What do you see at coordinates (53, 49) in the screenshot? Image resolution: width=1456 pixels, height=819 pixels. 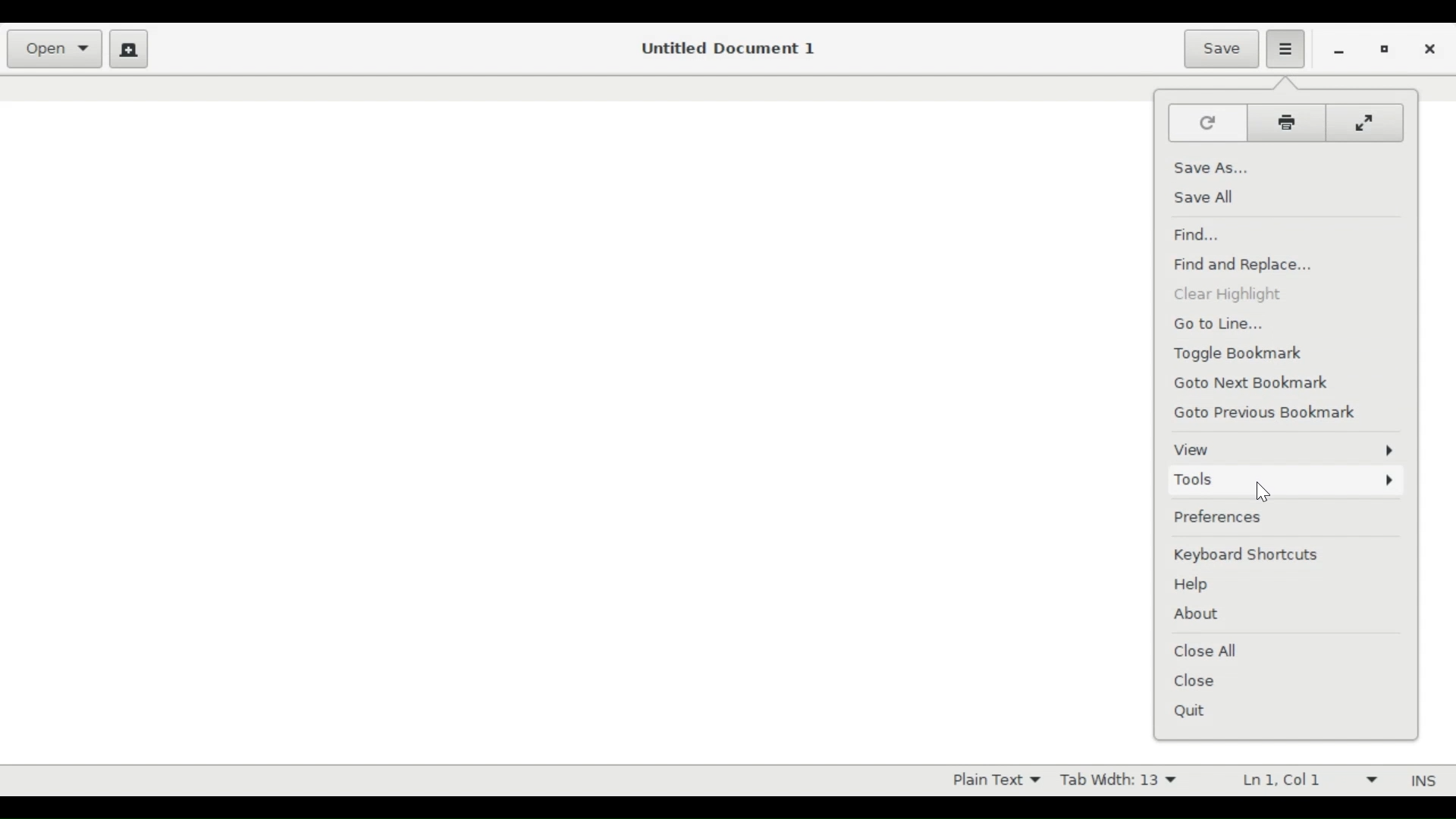 I see `Open` at bounding box center [53, 49].